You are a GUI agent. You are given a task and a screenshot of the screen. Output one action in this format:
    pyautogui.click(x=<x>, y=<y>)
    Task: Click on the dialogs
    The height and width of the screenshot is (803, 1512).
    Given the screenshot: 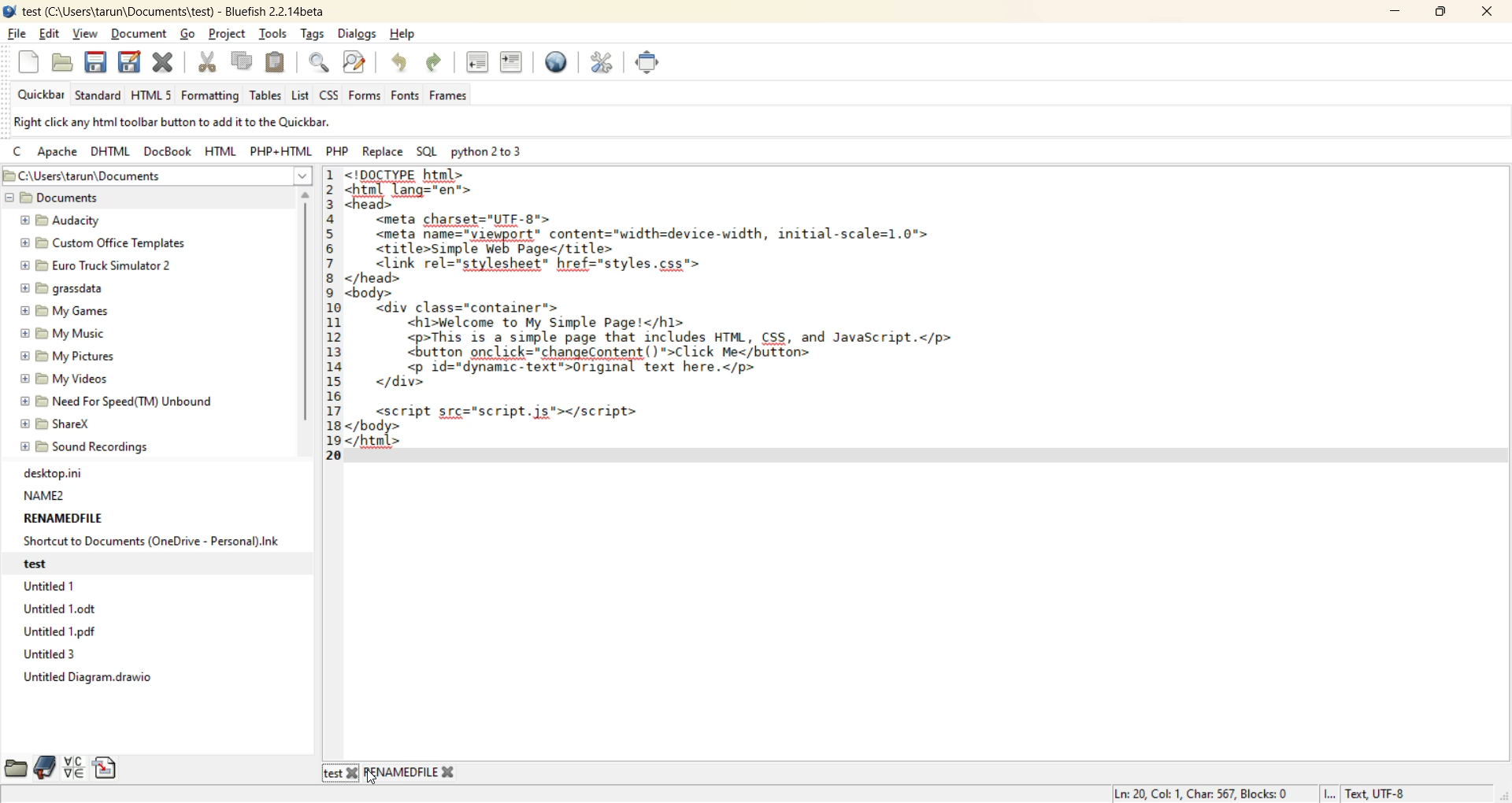 What is the action you would take?
    pyautogui.click(x=361, y=35)
    